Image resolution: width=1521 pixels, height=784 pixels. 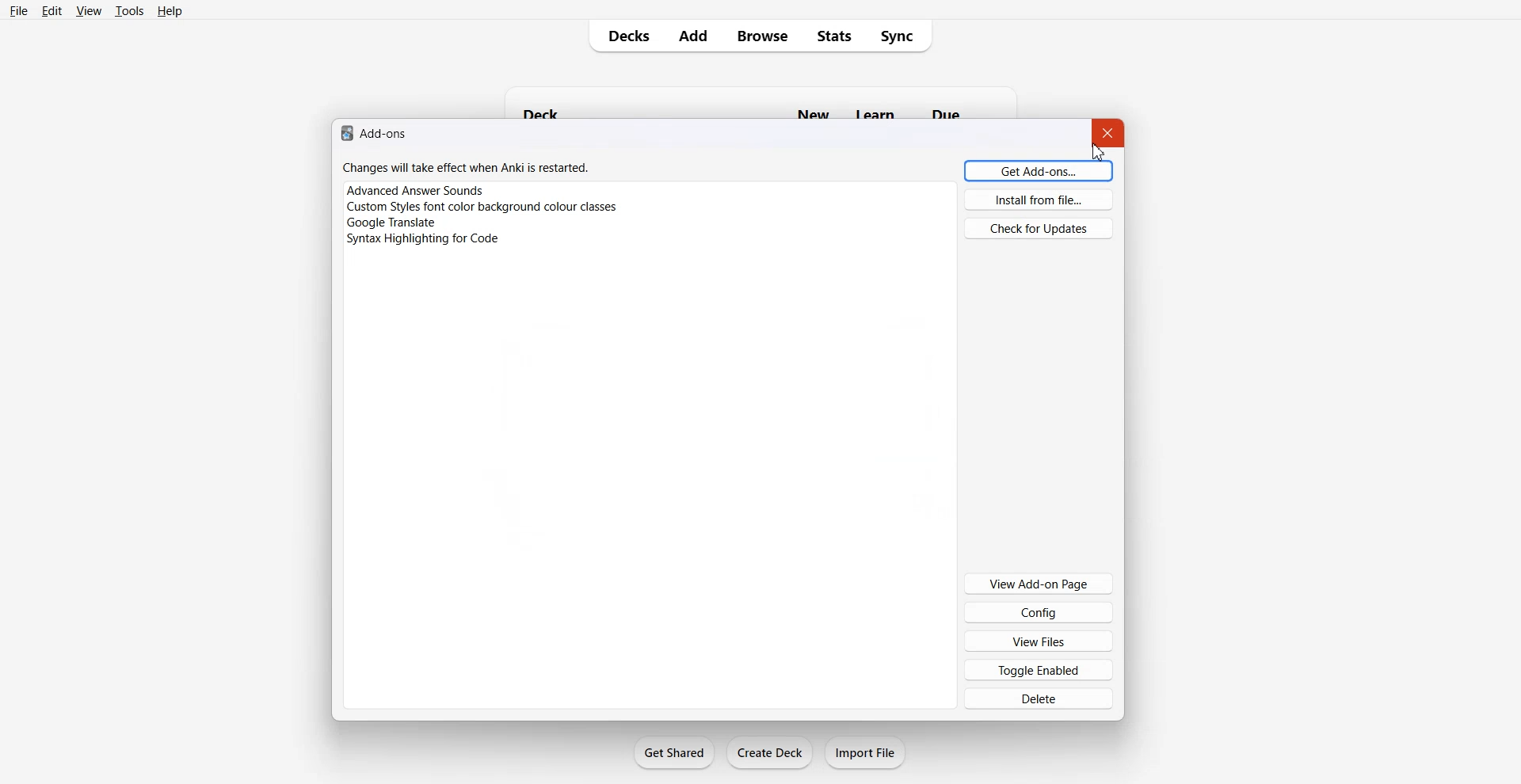 What do you see at coordinates (87, 10) in the screenshot?
I see `View` at bounding box center [87, 10].